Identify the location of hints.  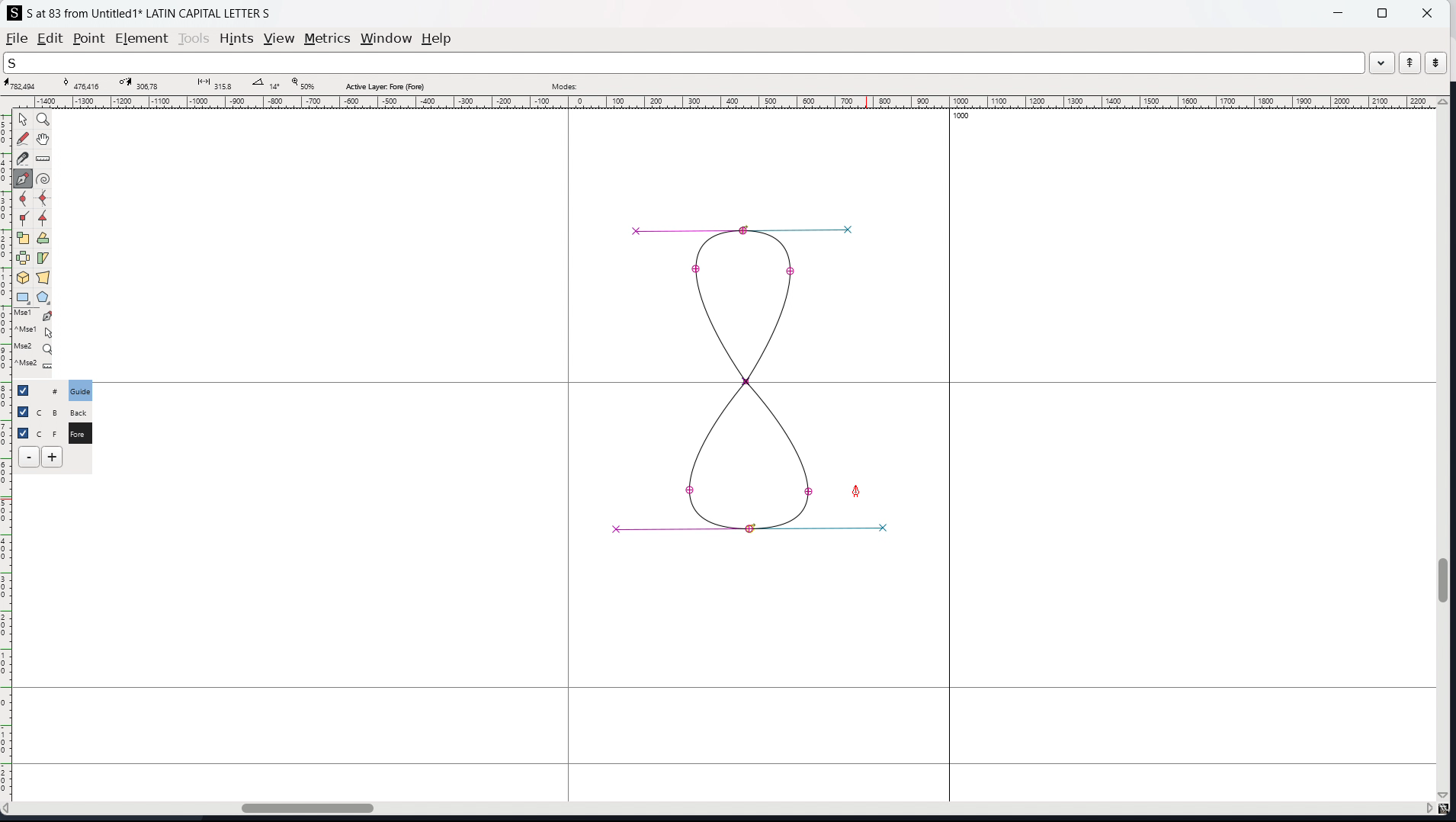
(237, 39).